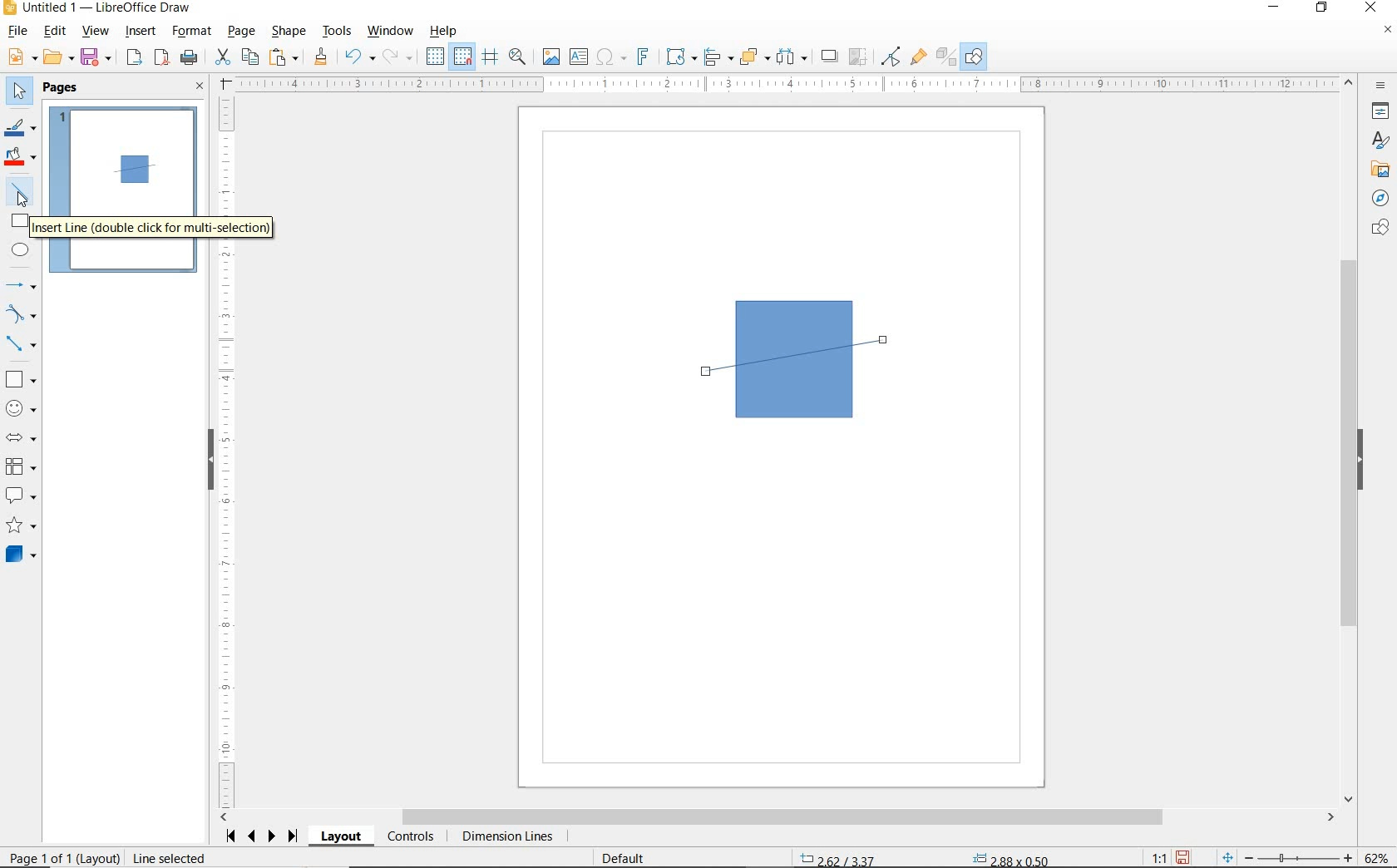  I want to click on REDO, so click(402, 57).